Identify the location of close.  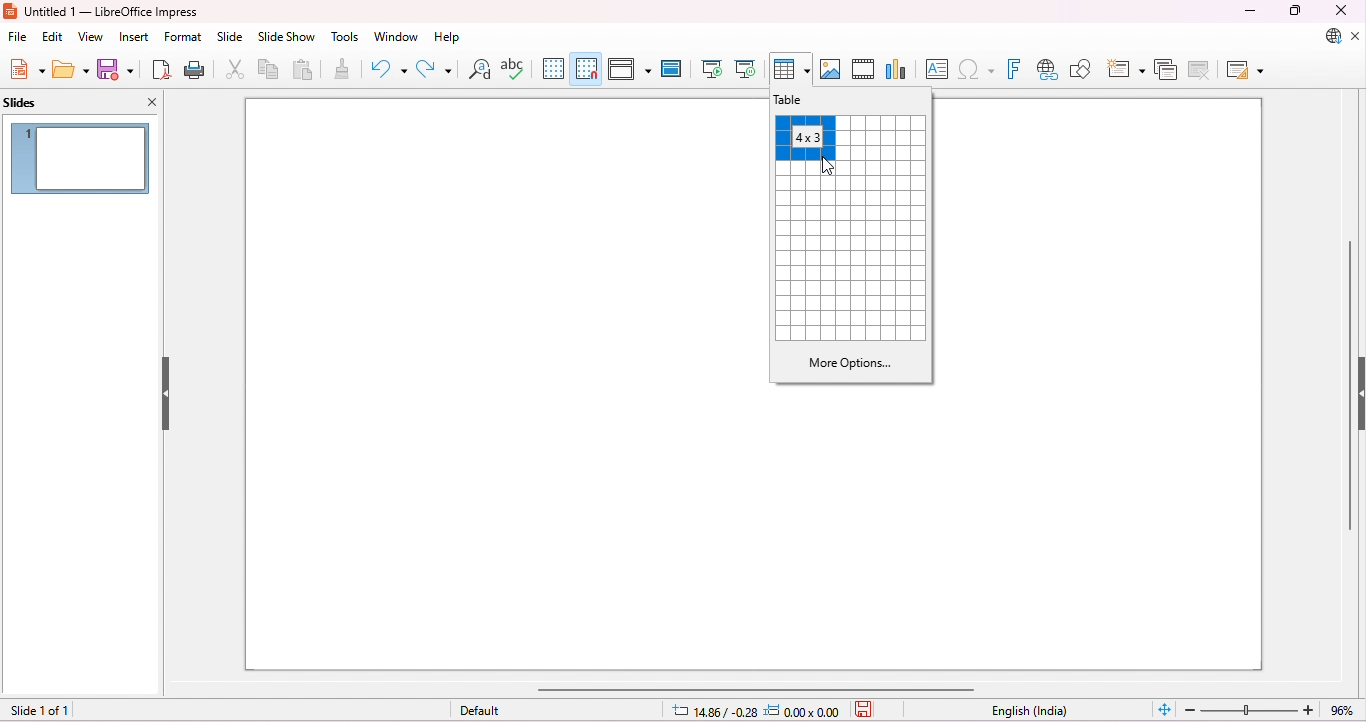
(152, 101).